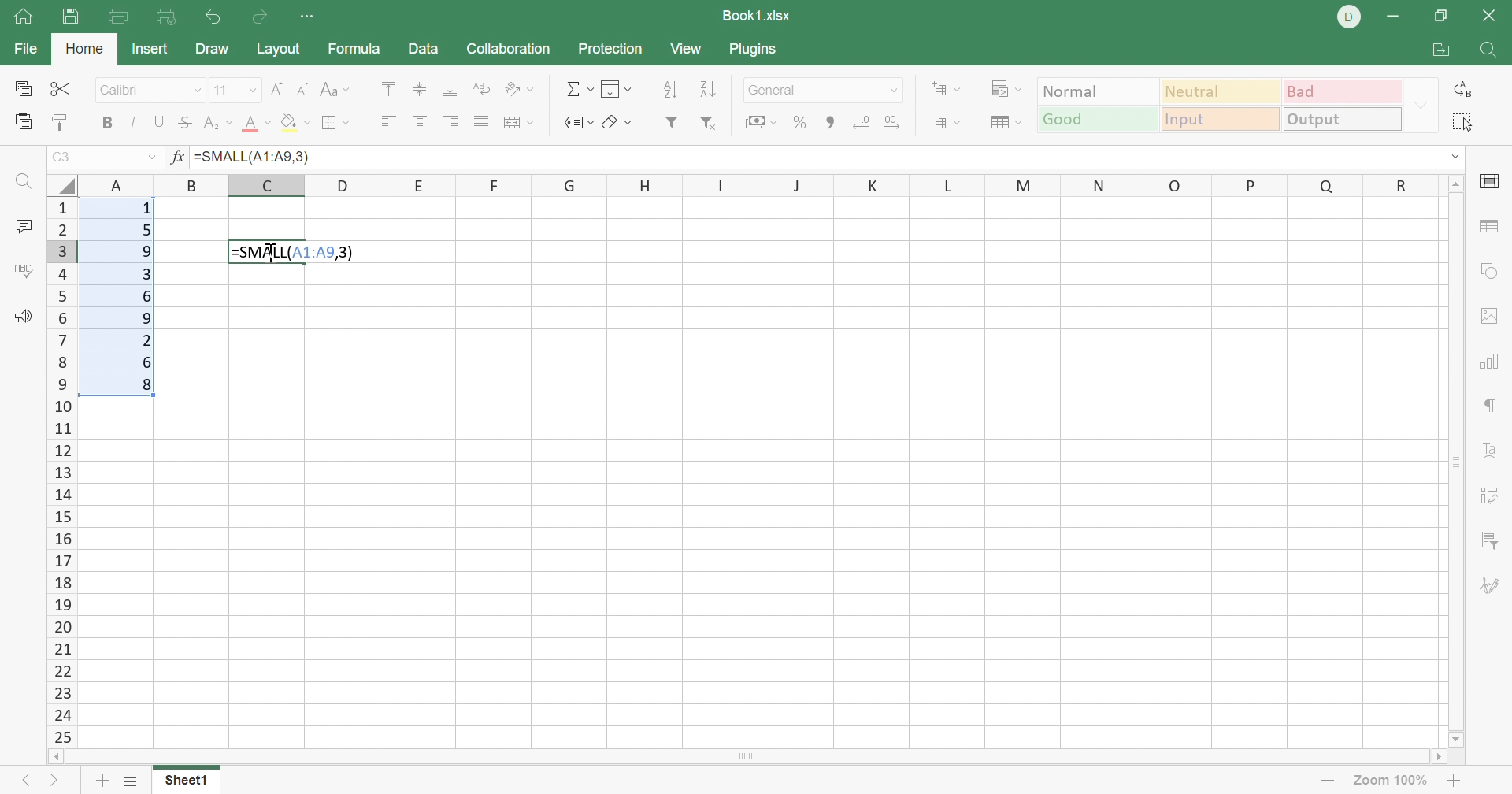  Describe the element at coordinates (1344, 91) in the screenshot. I see `Bad` at that location.